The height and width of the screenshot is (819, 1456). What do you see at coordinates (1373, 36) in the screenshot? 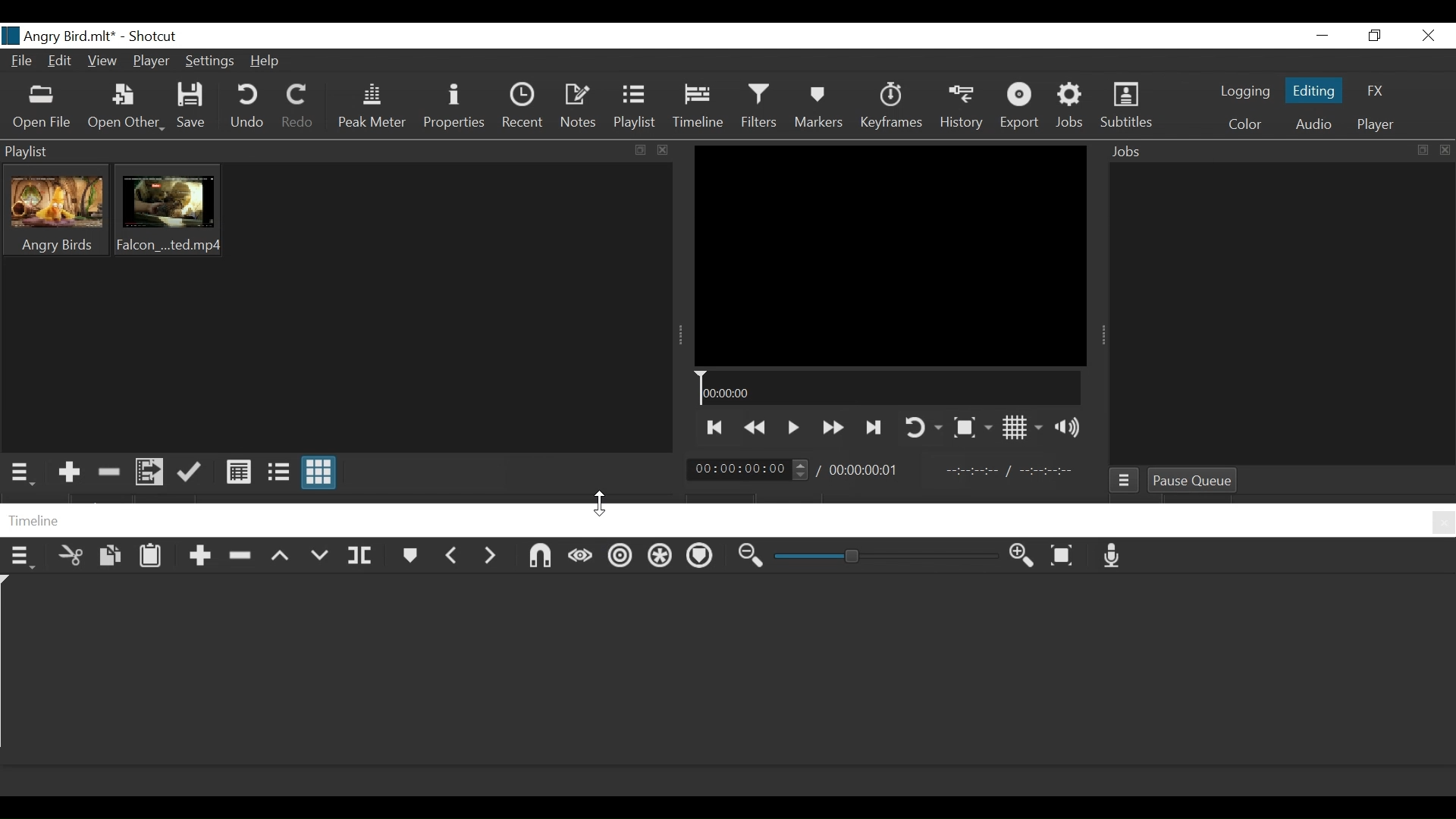
I see `Restore` at bounding box center [1373, 36].